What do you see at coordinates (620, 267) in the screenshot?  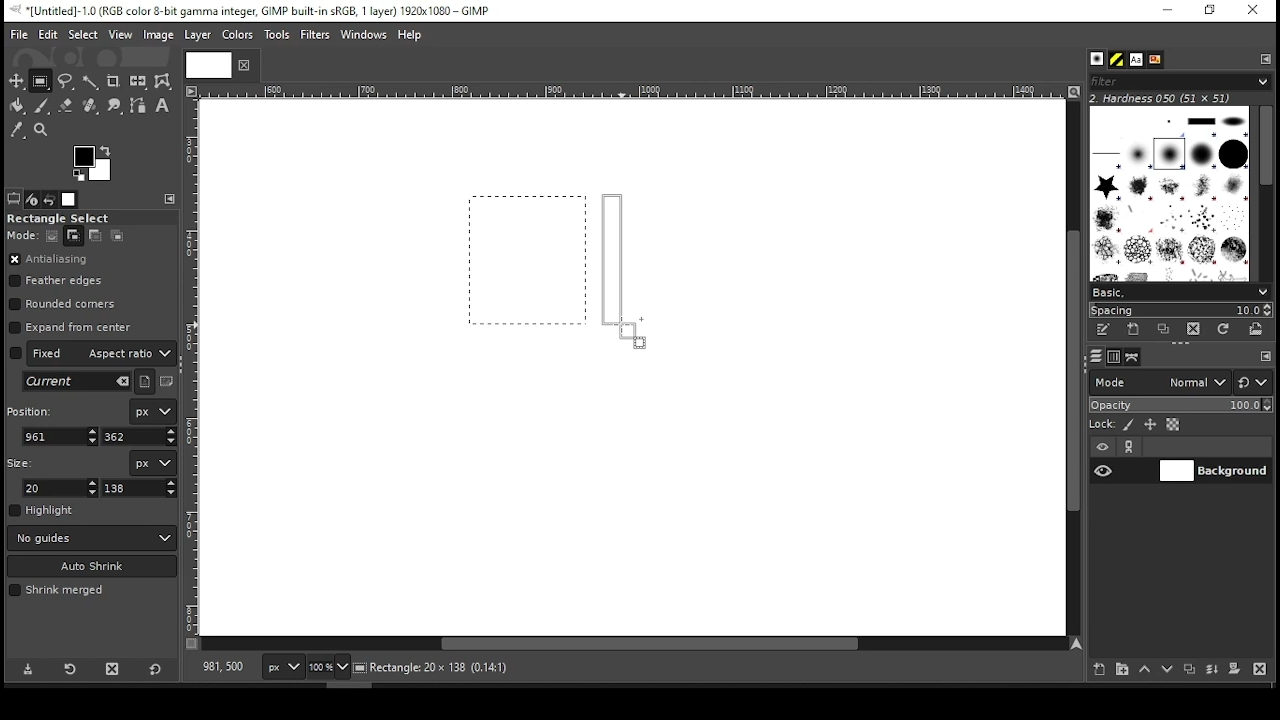 I see `new active selection` at bounding box center [620, 267].